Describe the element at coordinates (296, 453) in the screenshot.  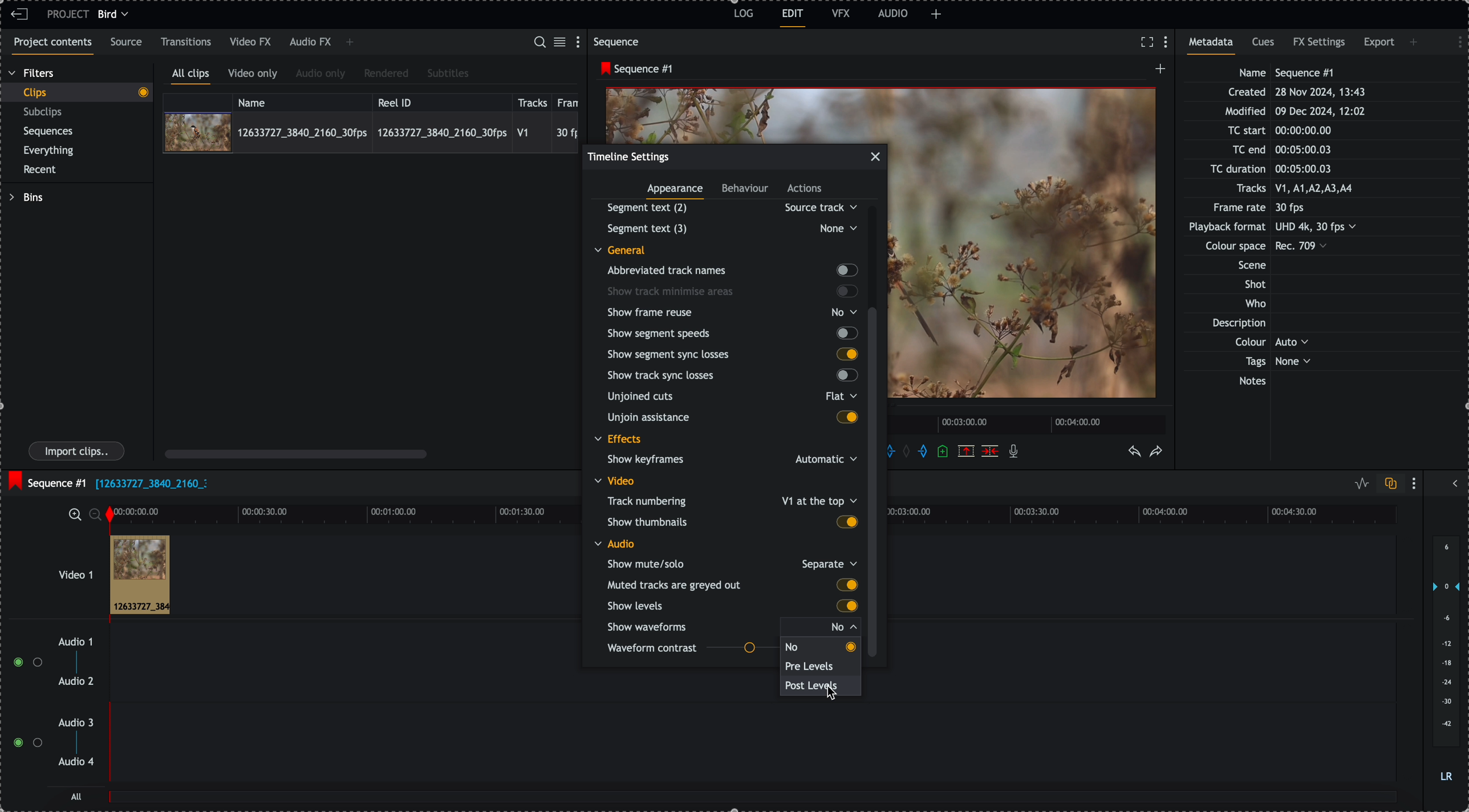
I see `scroll bar` at that location.